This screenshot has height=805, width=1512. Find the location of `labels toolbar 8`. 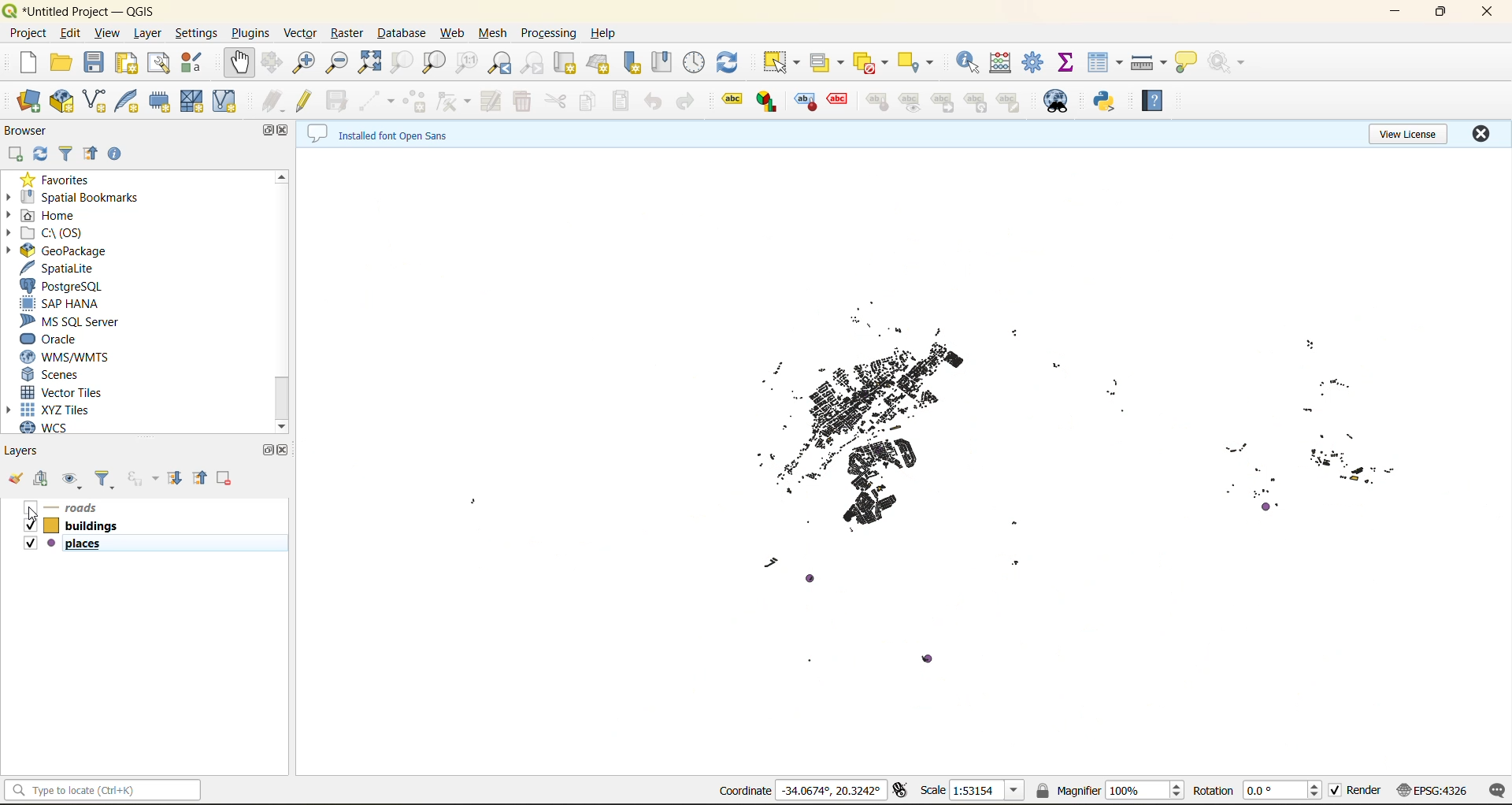

labels toolbar 8 is located at coordinates (976, 103).